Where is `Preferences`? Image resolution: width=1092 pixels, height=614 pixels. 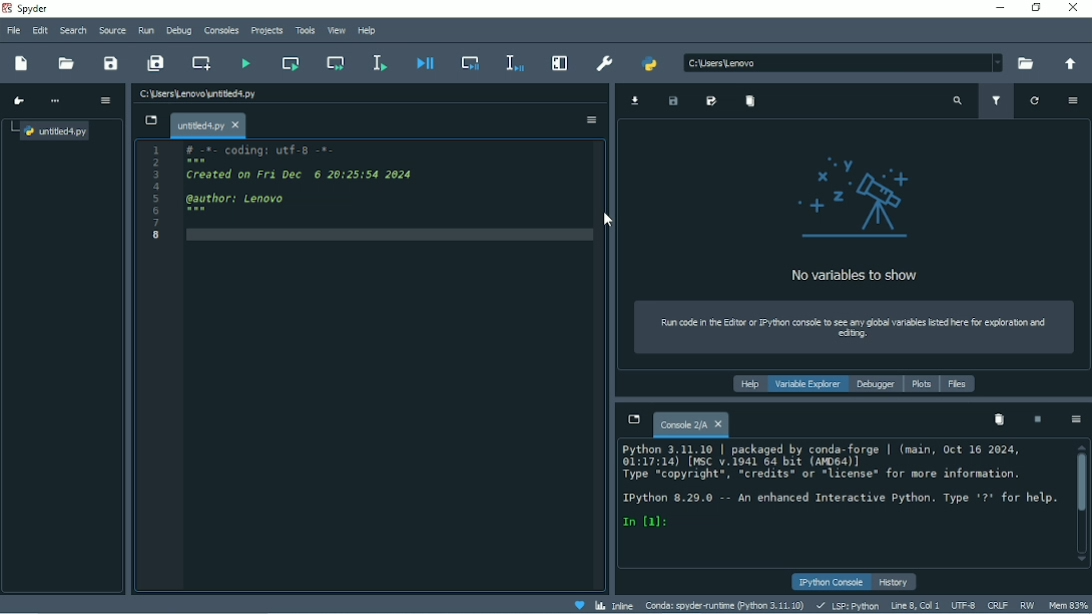 Preferences is located at coordinates (606, 62).